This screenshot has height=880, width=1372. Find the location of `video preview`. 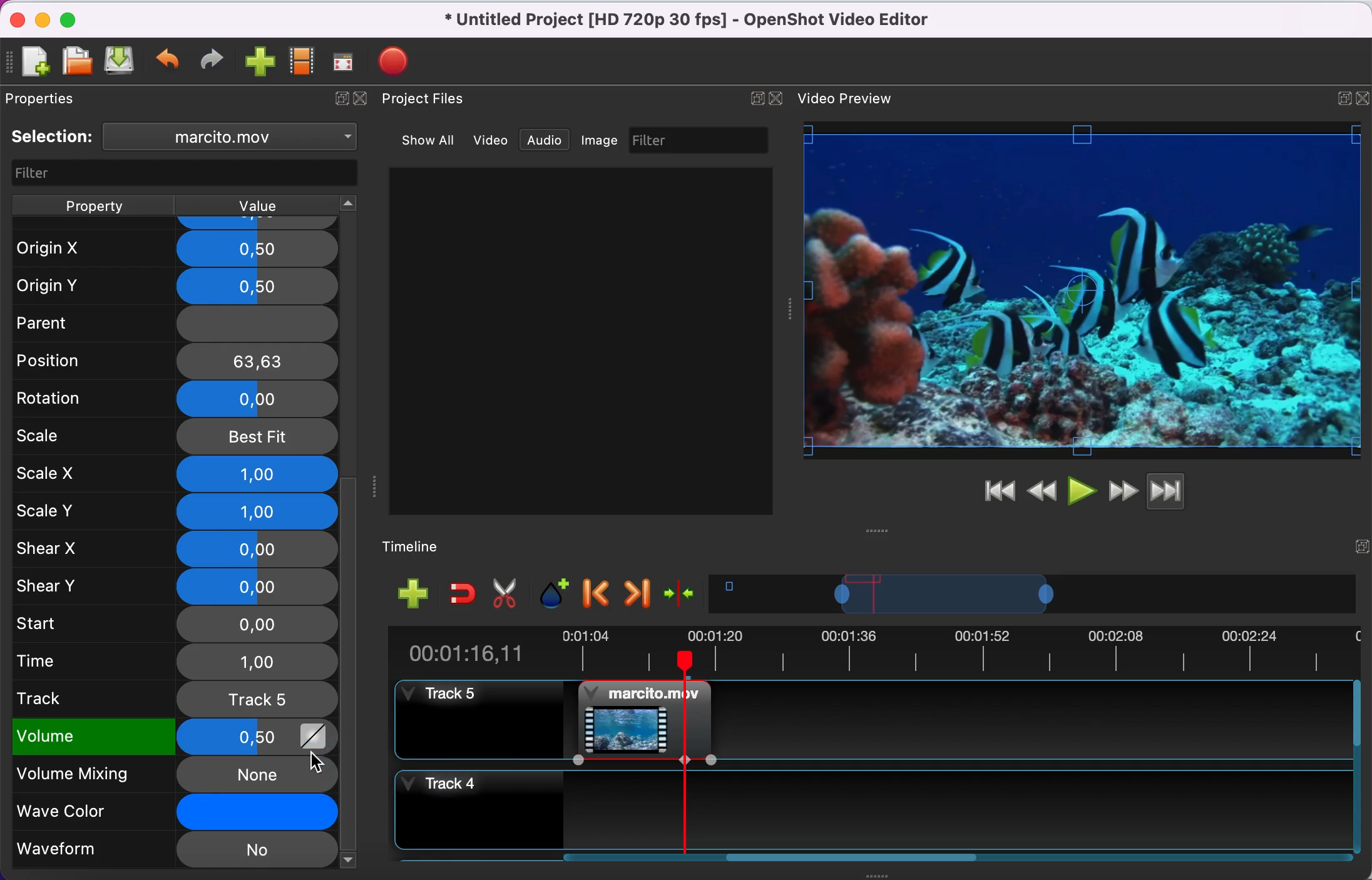

video preview is located at coordinates (850, 100).